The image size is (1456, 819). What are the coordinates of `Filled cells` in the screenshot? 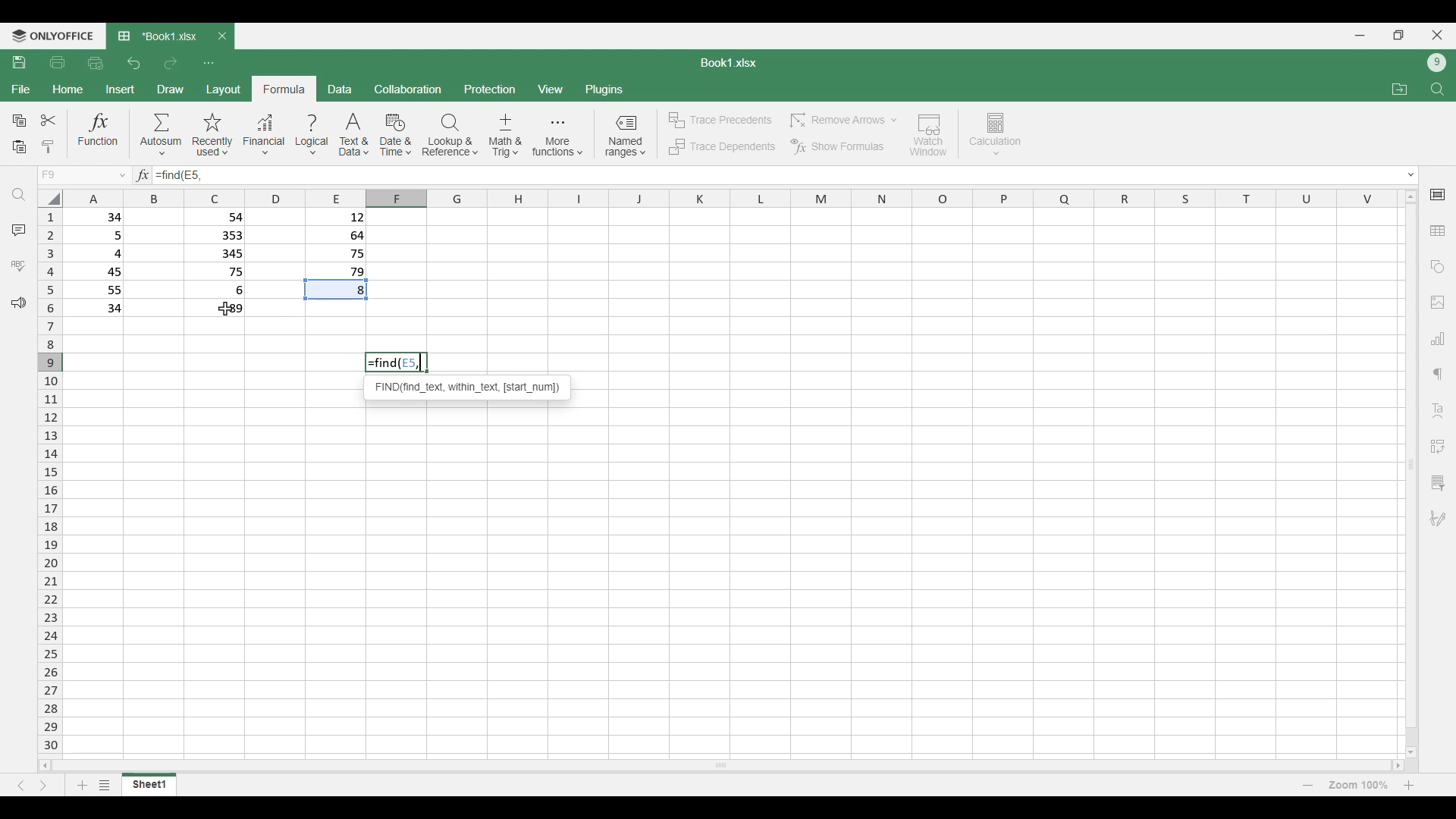 It's located at (99, 262).